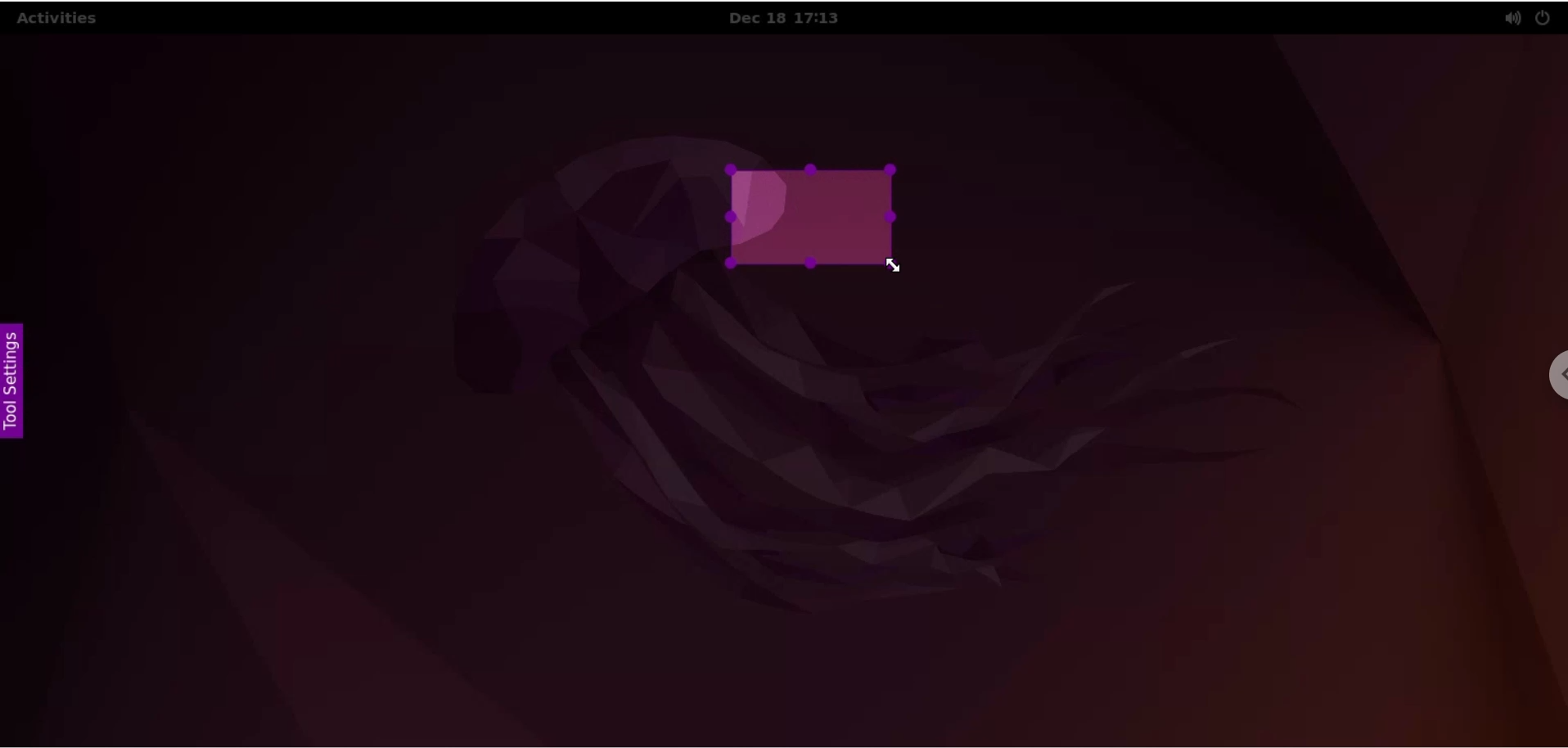 The width and height of the screenshot is (1568, 748). I want to click on chrome settings, so click(1552, 376).